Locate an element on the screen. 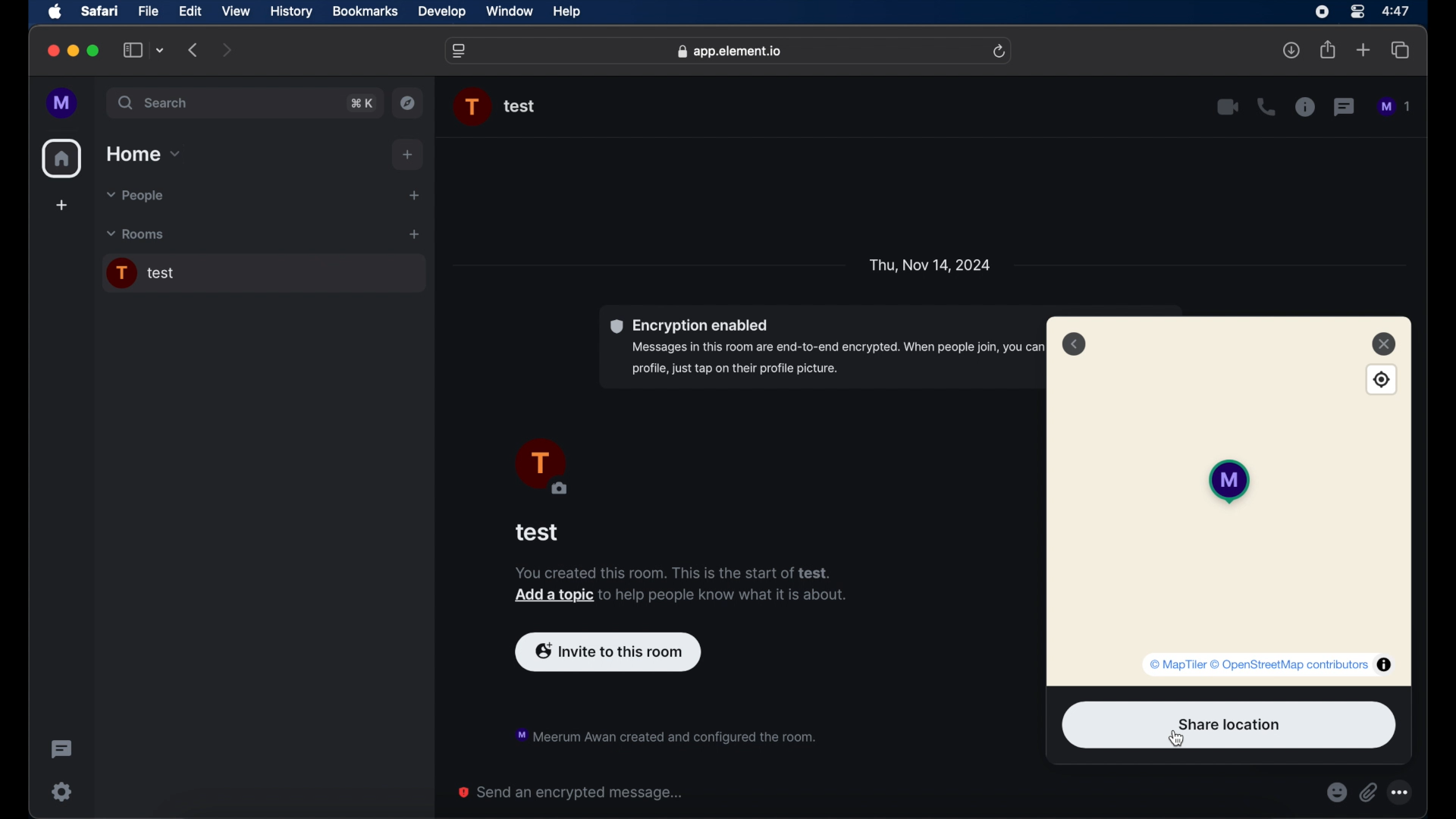 Image resolution: width=1456 pixels, height=819 pixels. share is located at coordinates (1327, 50).